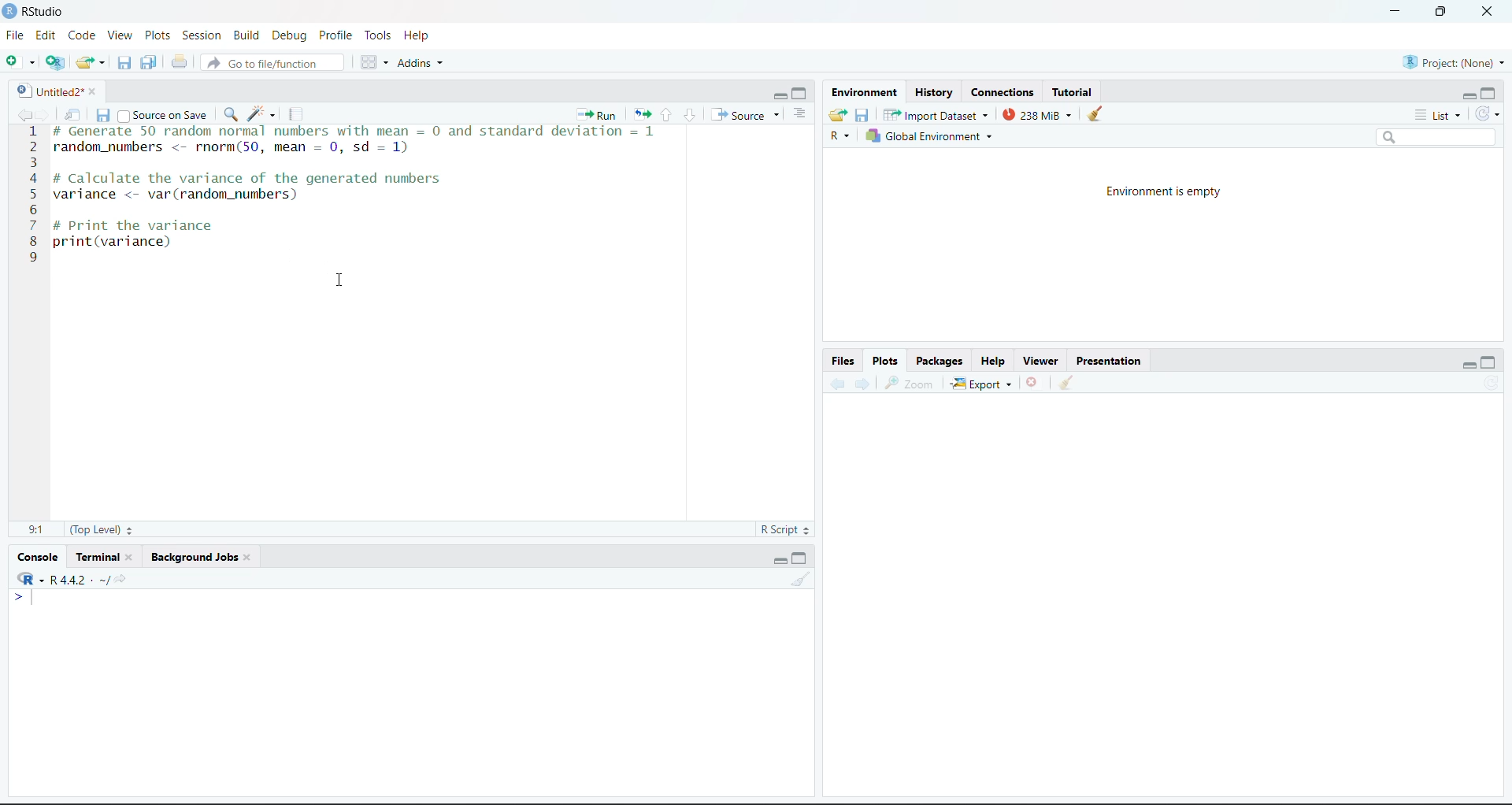  What do you see at coordinates (801, 95) in the screenshot?
I see `maximize` at bounding box center [801, 95].